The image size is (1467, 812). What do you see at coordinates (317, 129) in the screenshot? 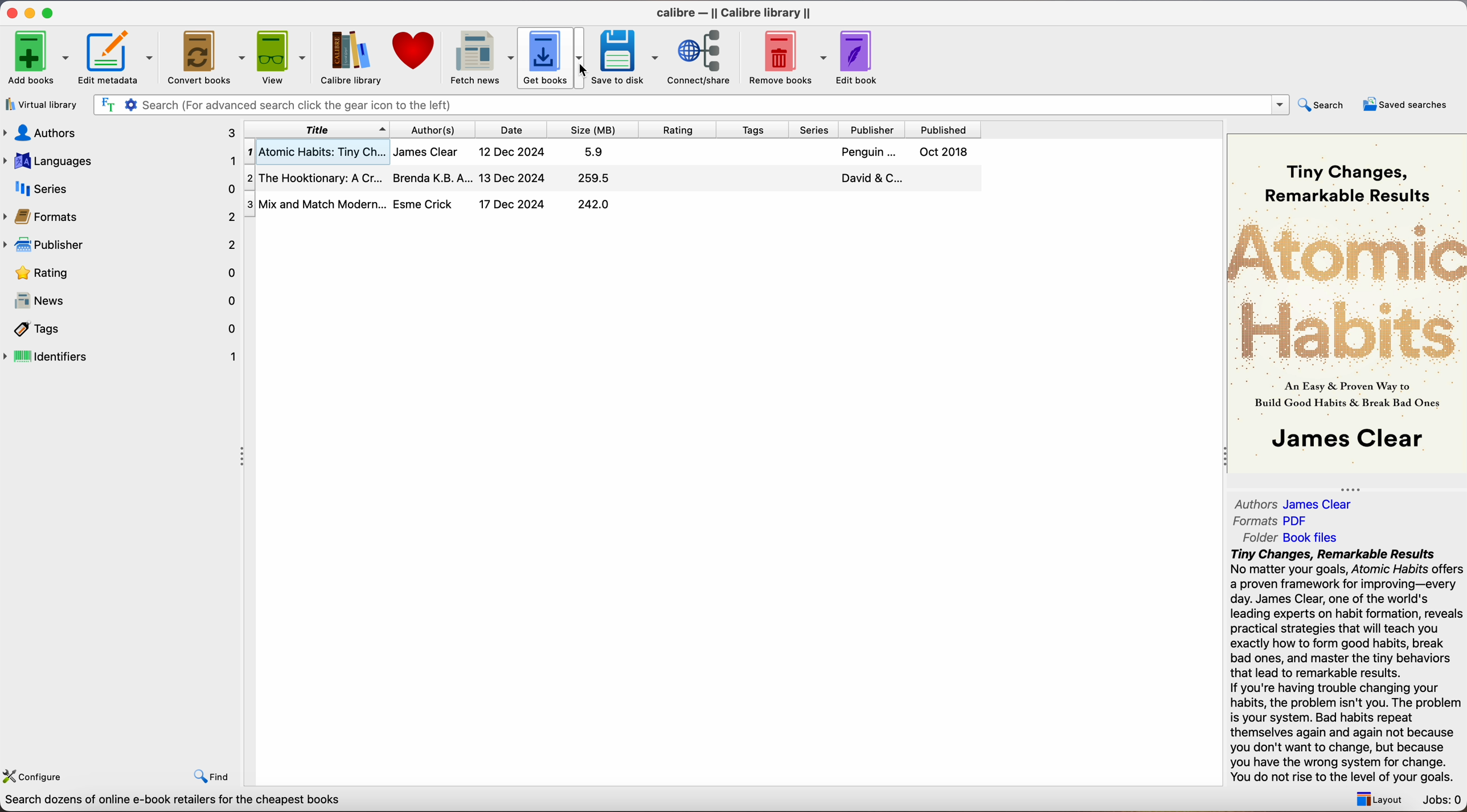
I see `title` at bounding box center [317, 129].